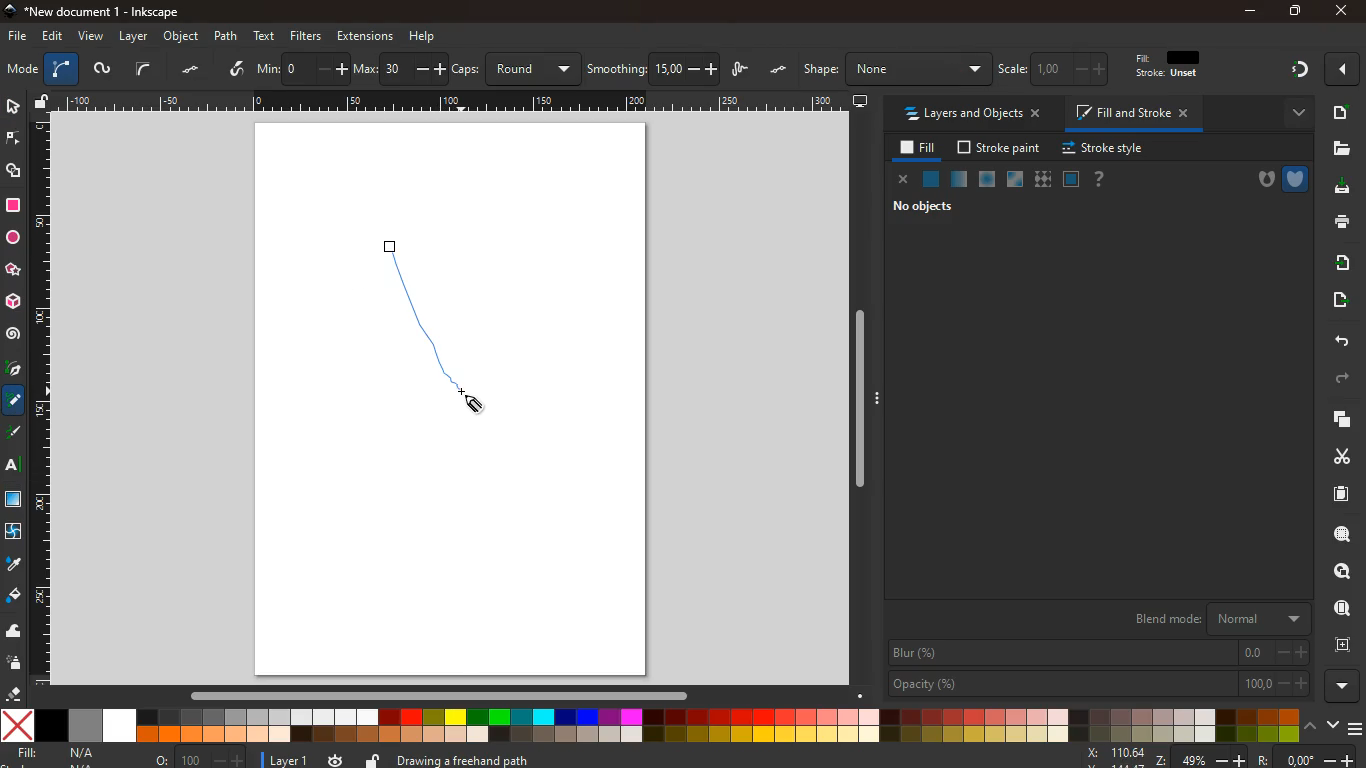 This screenshot has height=768, width=1366. I want to click on spray, so click(15, 664).